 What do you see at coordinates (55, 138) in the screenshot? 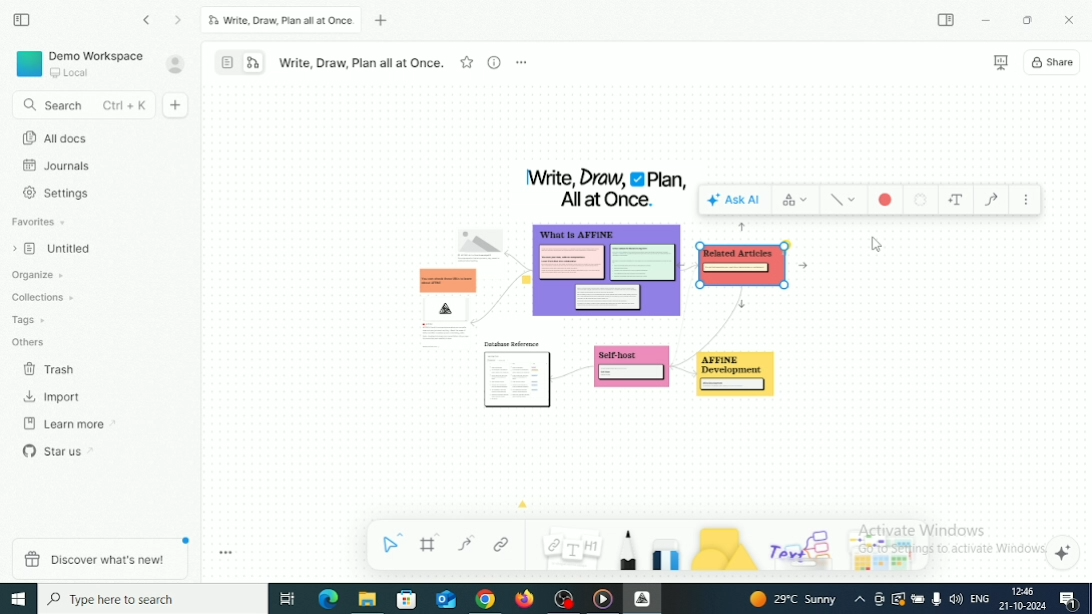
I see `All docs` at bounding box center [55, 138].